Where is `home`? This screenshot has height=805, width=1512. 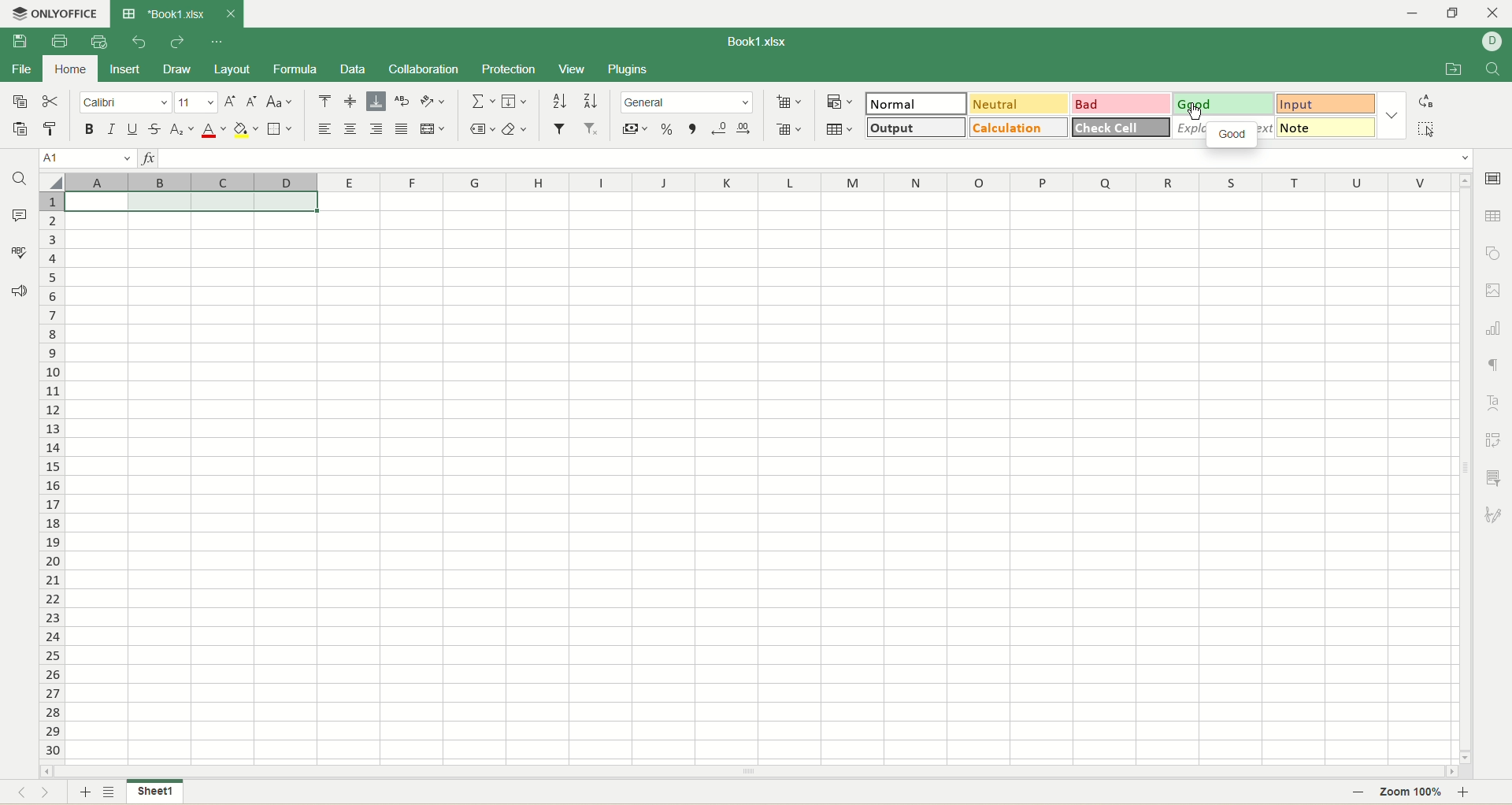
home is located at coordinates (65, 70).